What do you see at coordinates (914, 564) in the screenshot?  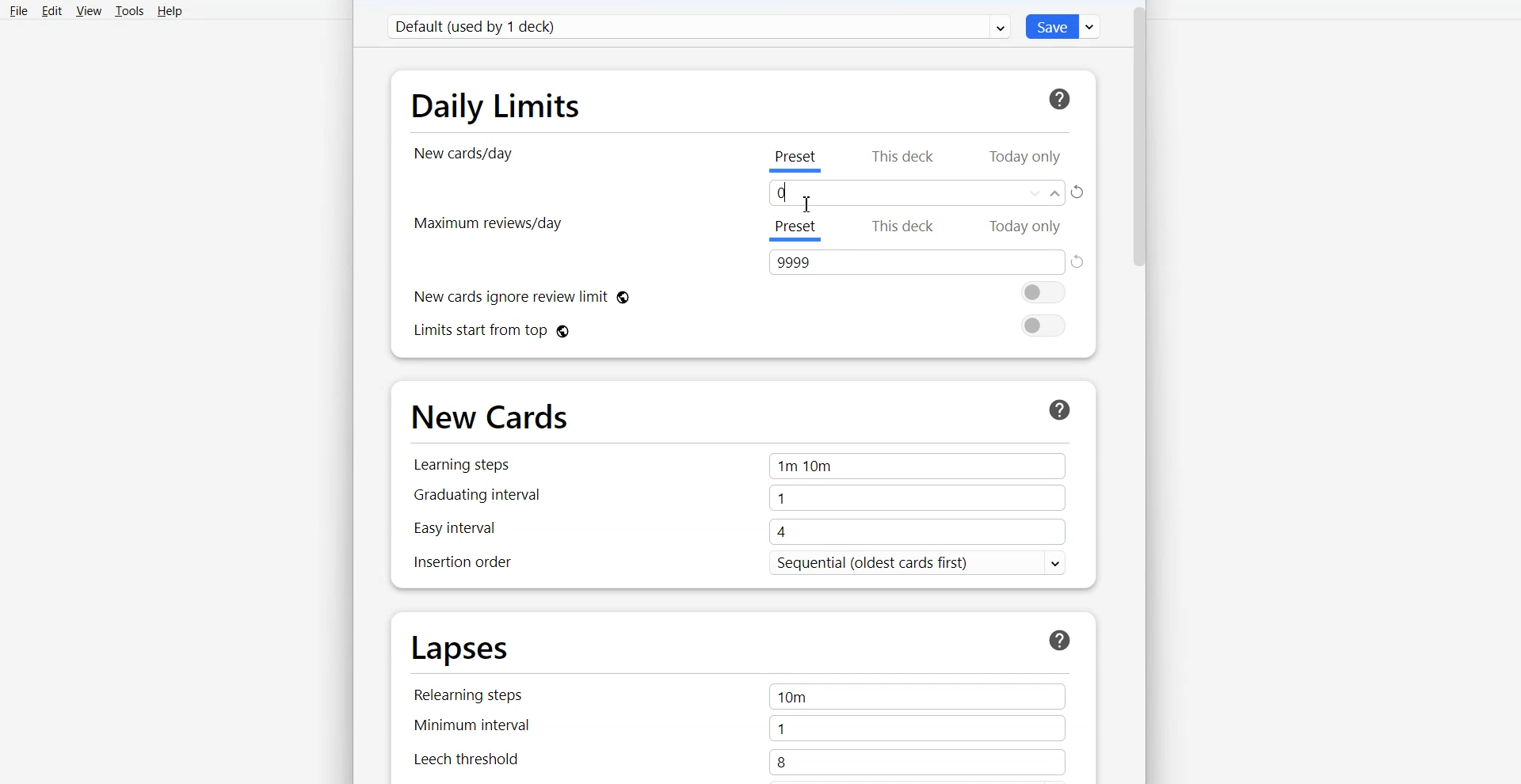 I see `Sequential (oldest cards first) v` at bounding box center [914, 564].